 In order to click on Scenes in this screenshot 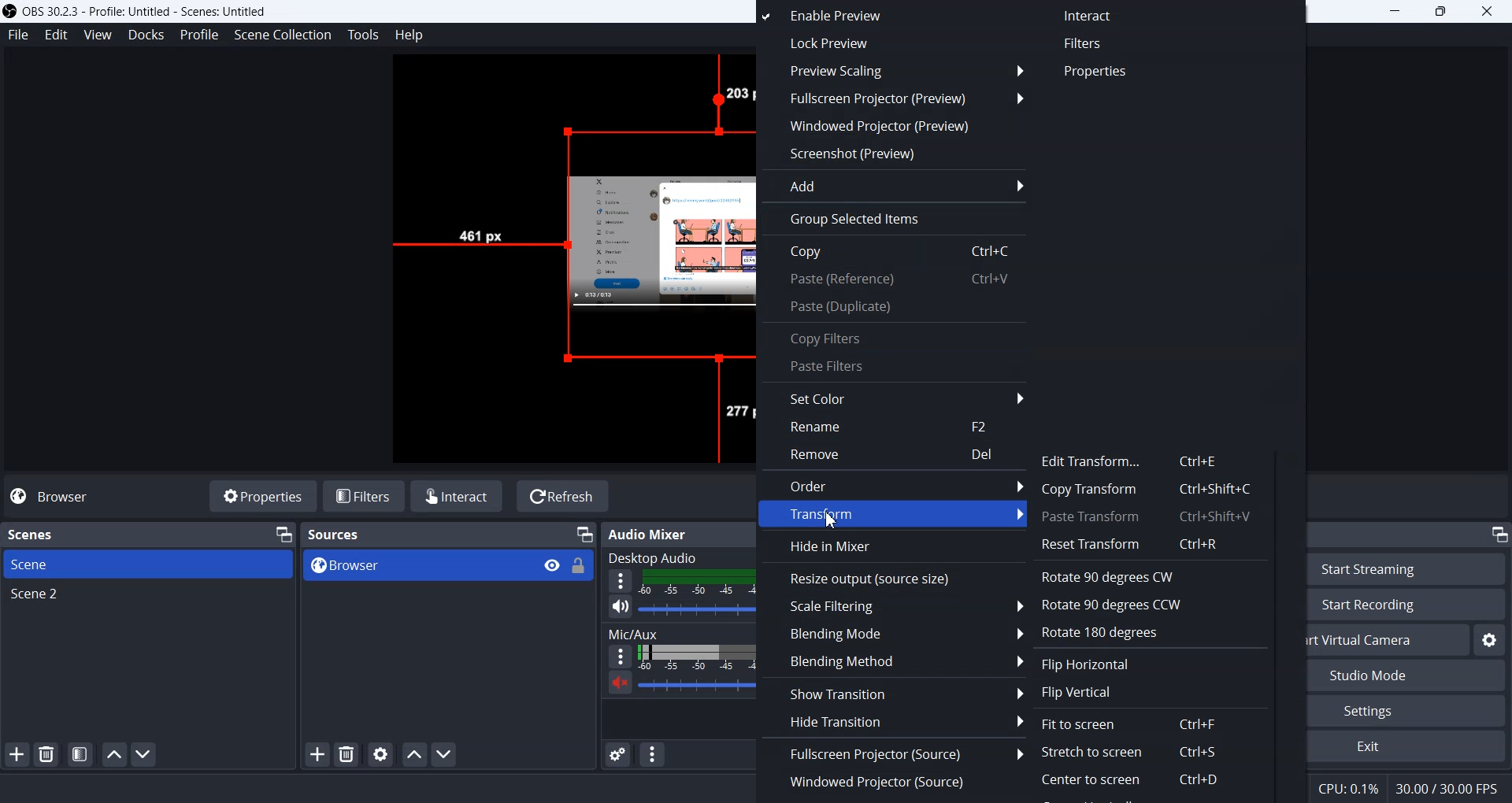, I will do `click(65, 533)`.